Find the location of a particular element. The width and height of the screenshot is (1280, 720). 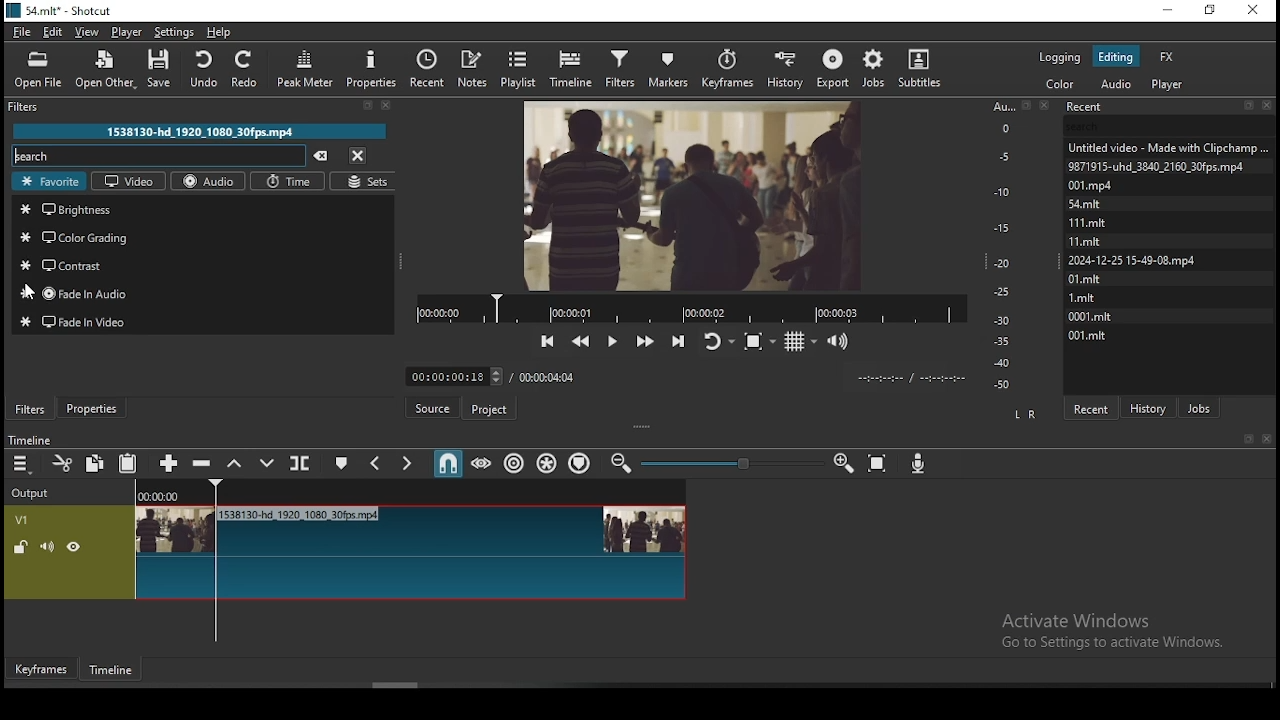

zoom in or zoom out slider is located at coordinates (728, 463).